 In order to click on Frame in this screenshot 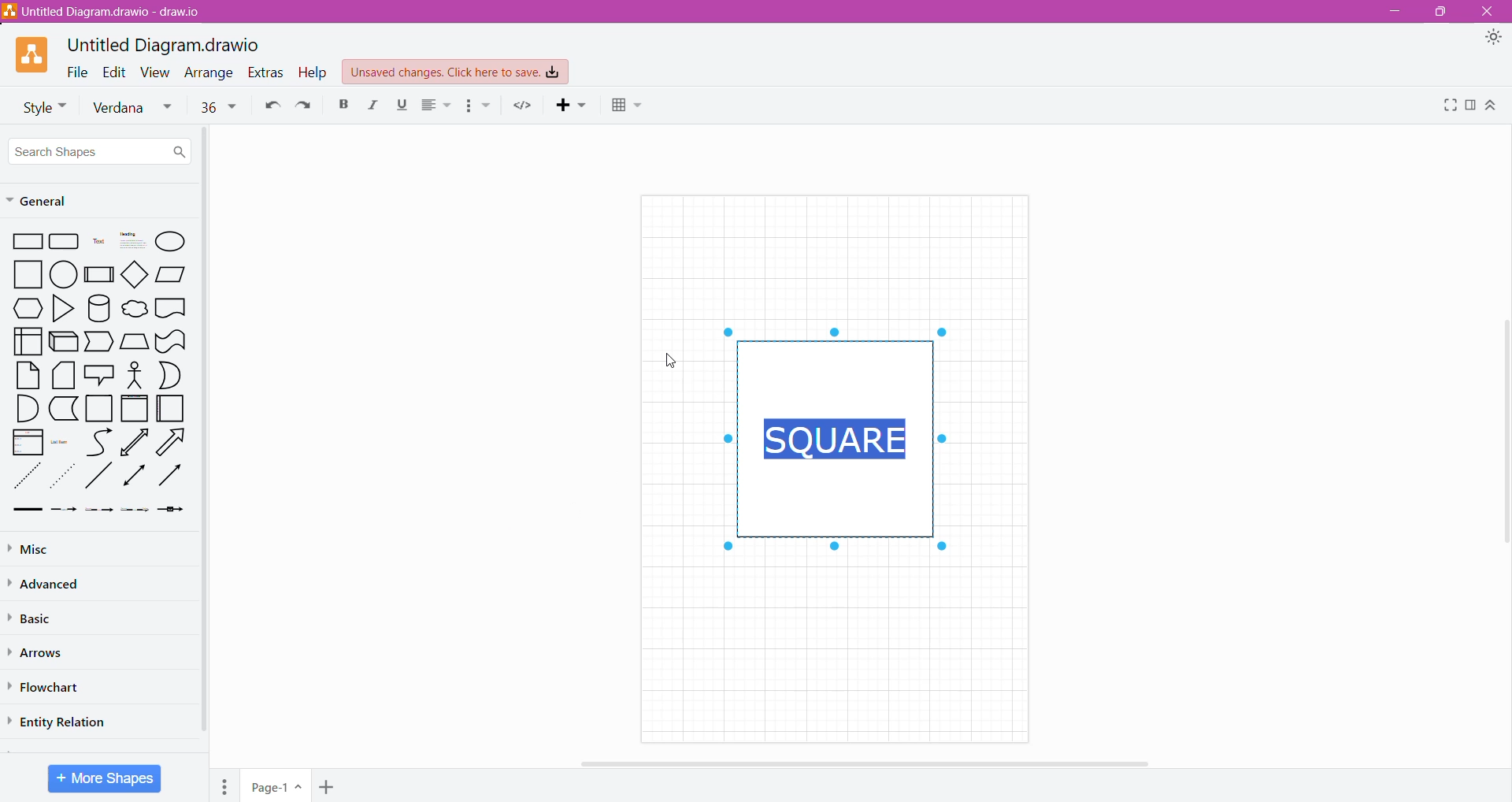, I will do `click(135, 408)`.